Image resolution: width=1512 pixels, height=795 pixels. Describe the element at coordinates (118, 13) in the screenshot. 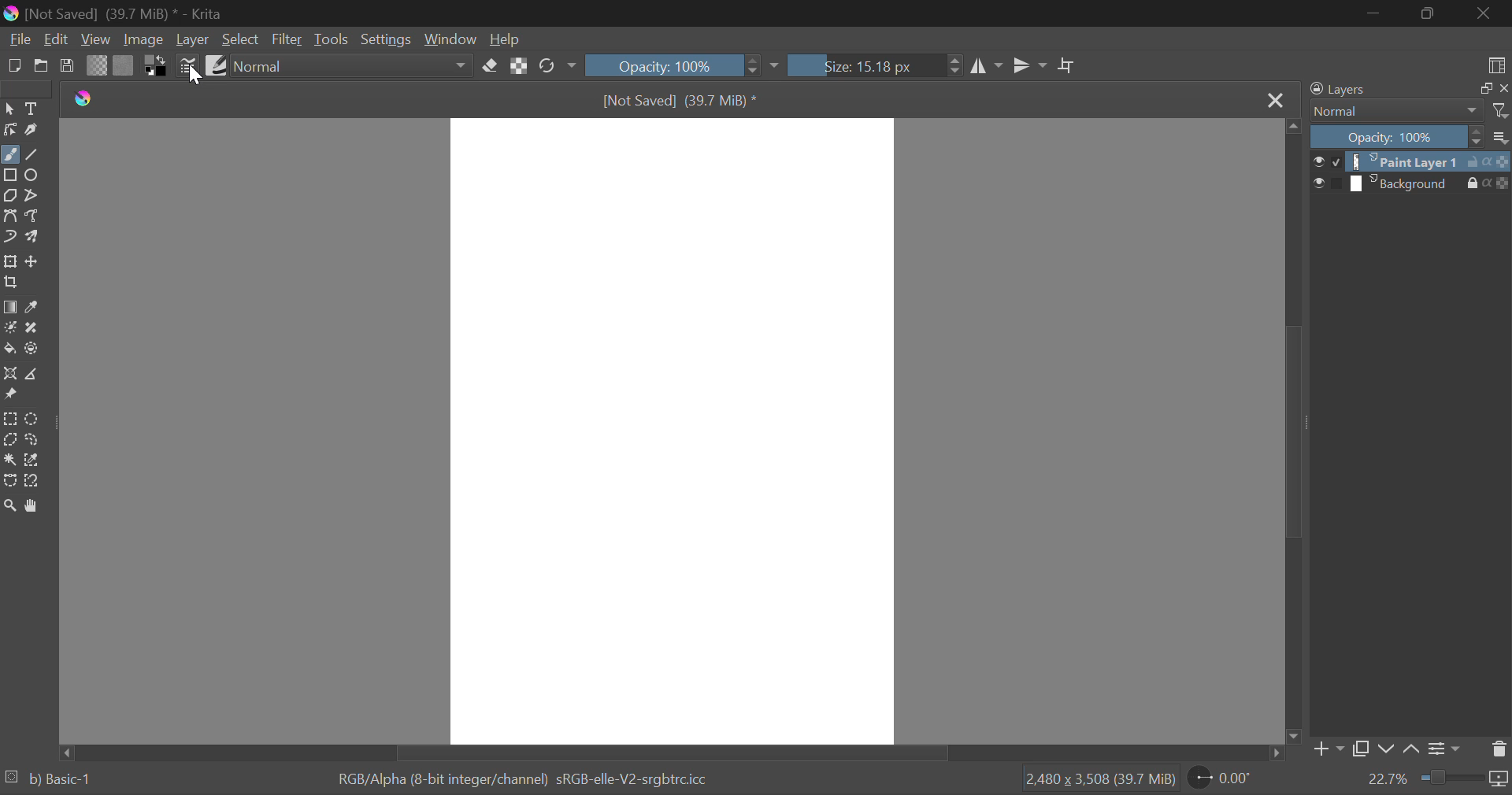

I see `(Not Saved) (39,7 MB)* -Krita` at that location.